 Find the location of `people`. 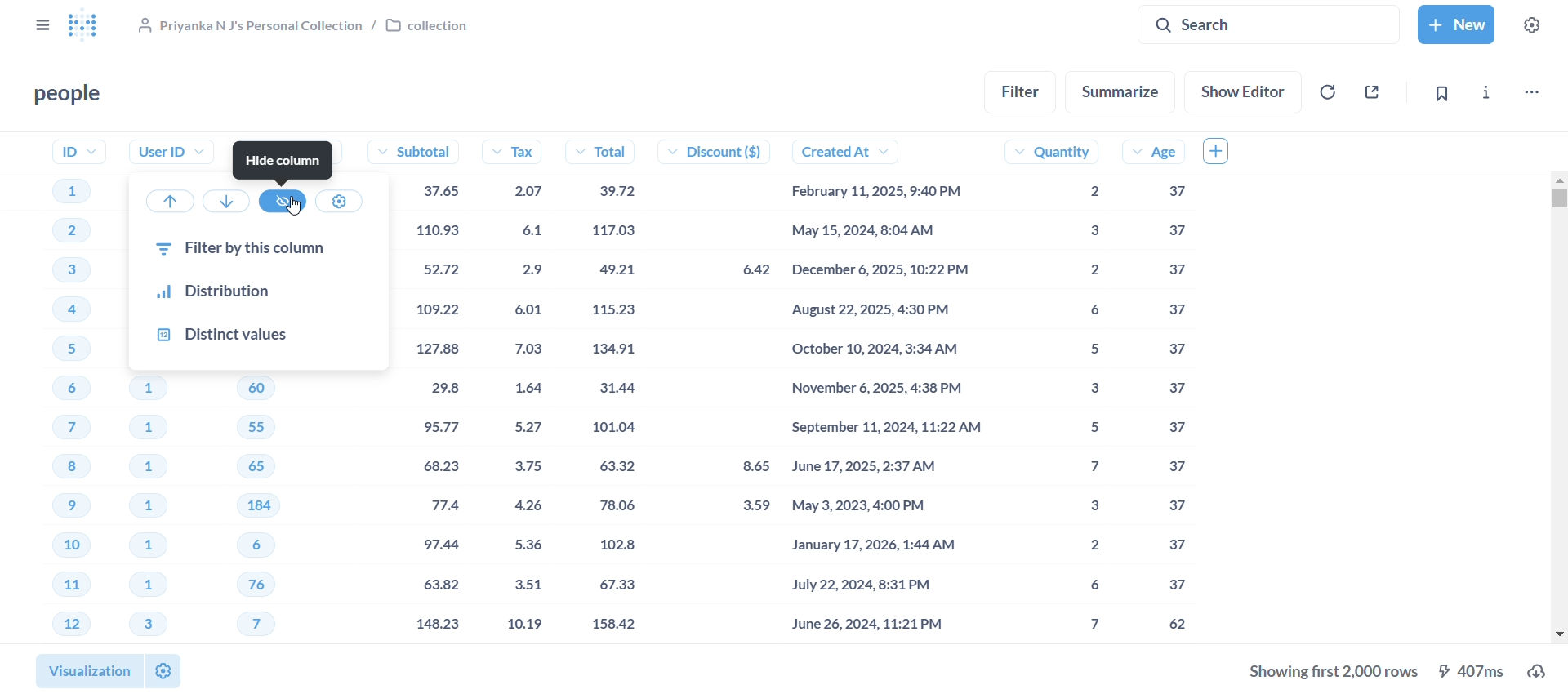

people is located at coordinates (61, 95).